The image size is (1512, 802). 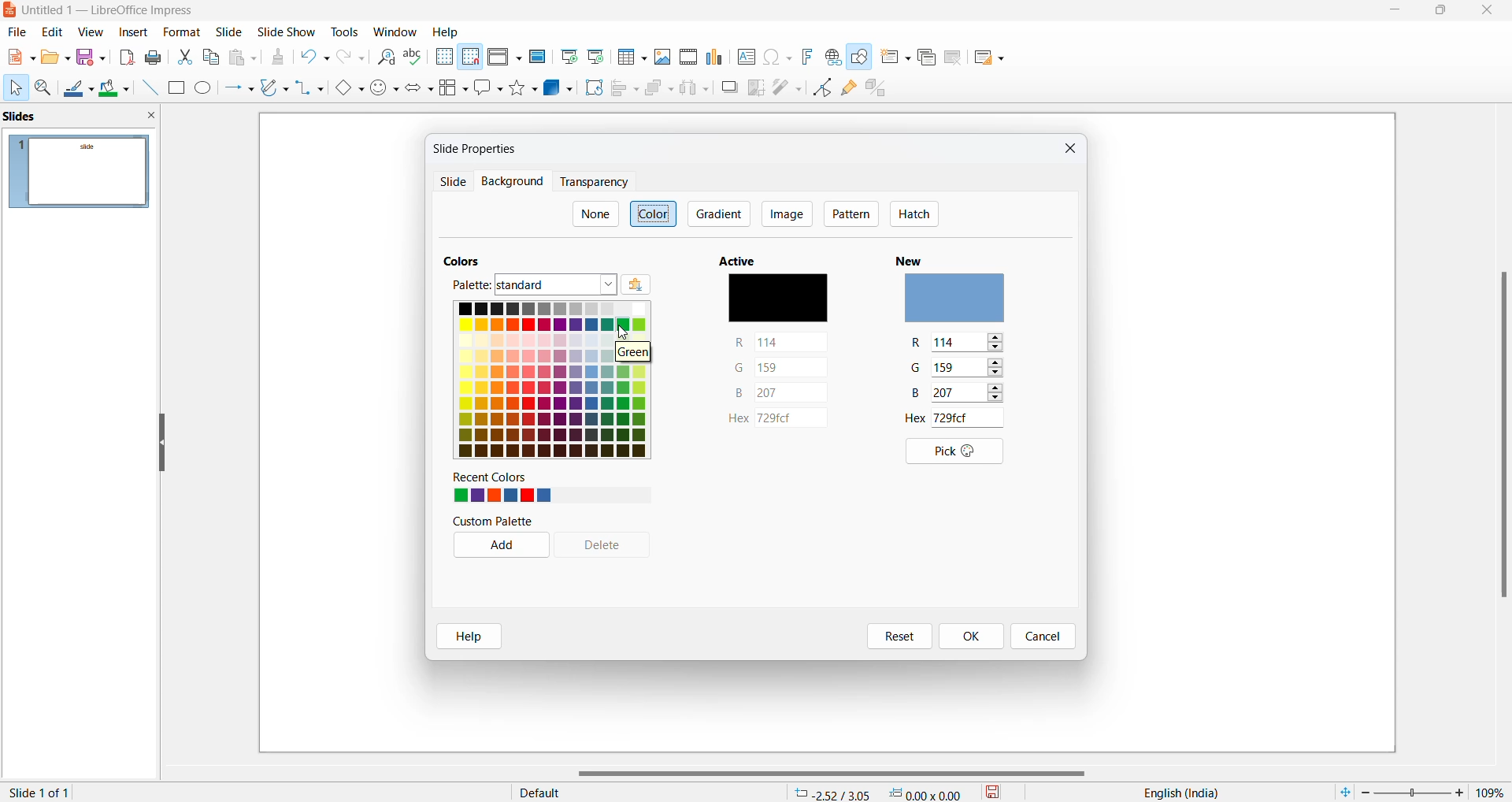 I want to click on recent color options, so click(x=502, y=496).